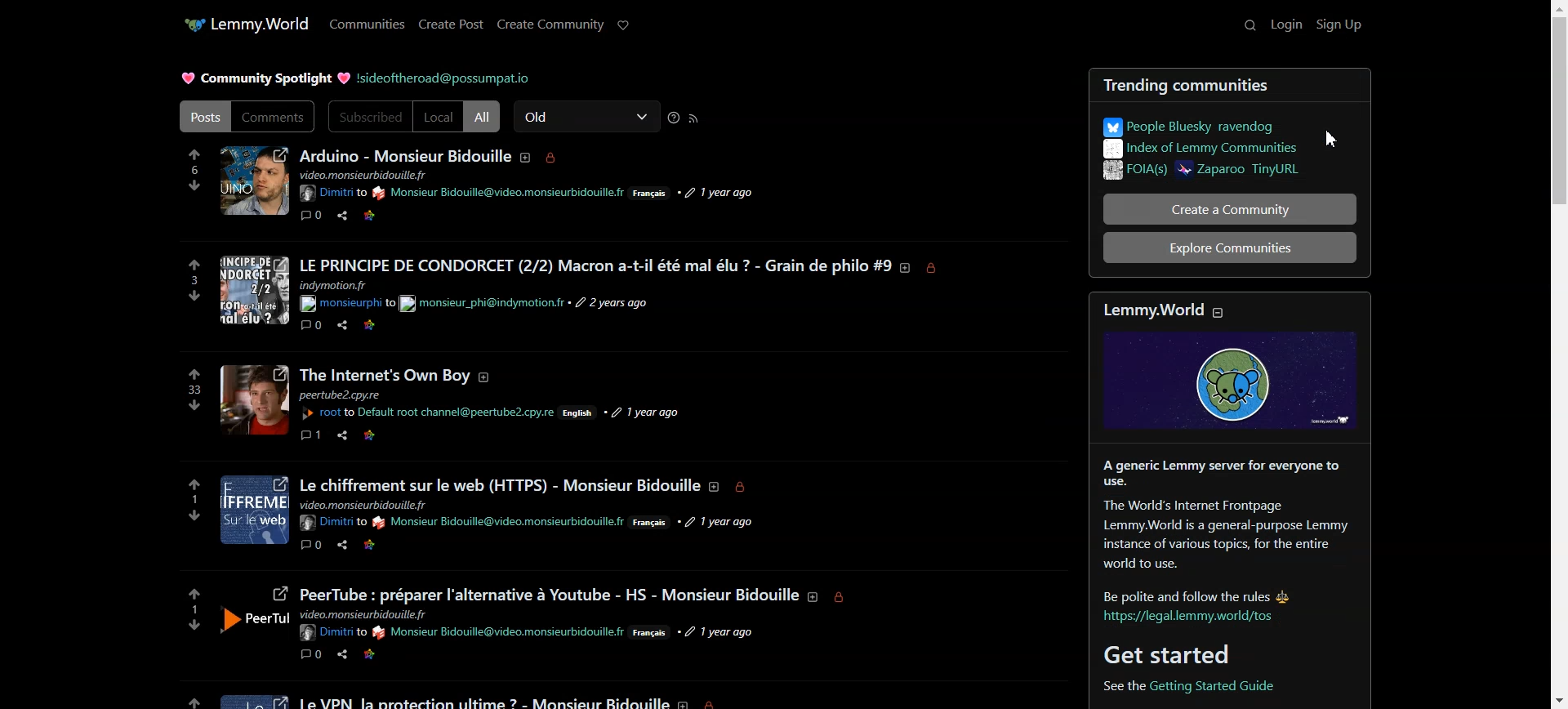 The height and width of the screenshot is (709, 1568). I want to click on time posted, so click(615, 303).